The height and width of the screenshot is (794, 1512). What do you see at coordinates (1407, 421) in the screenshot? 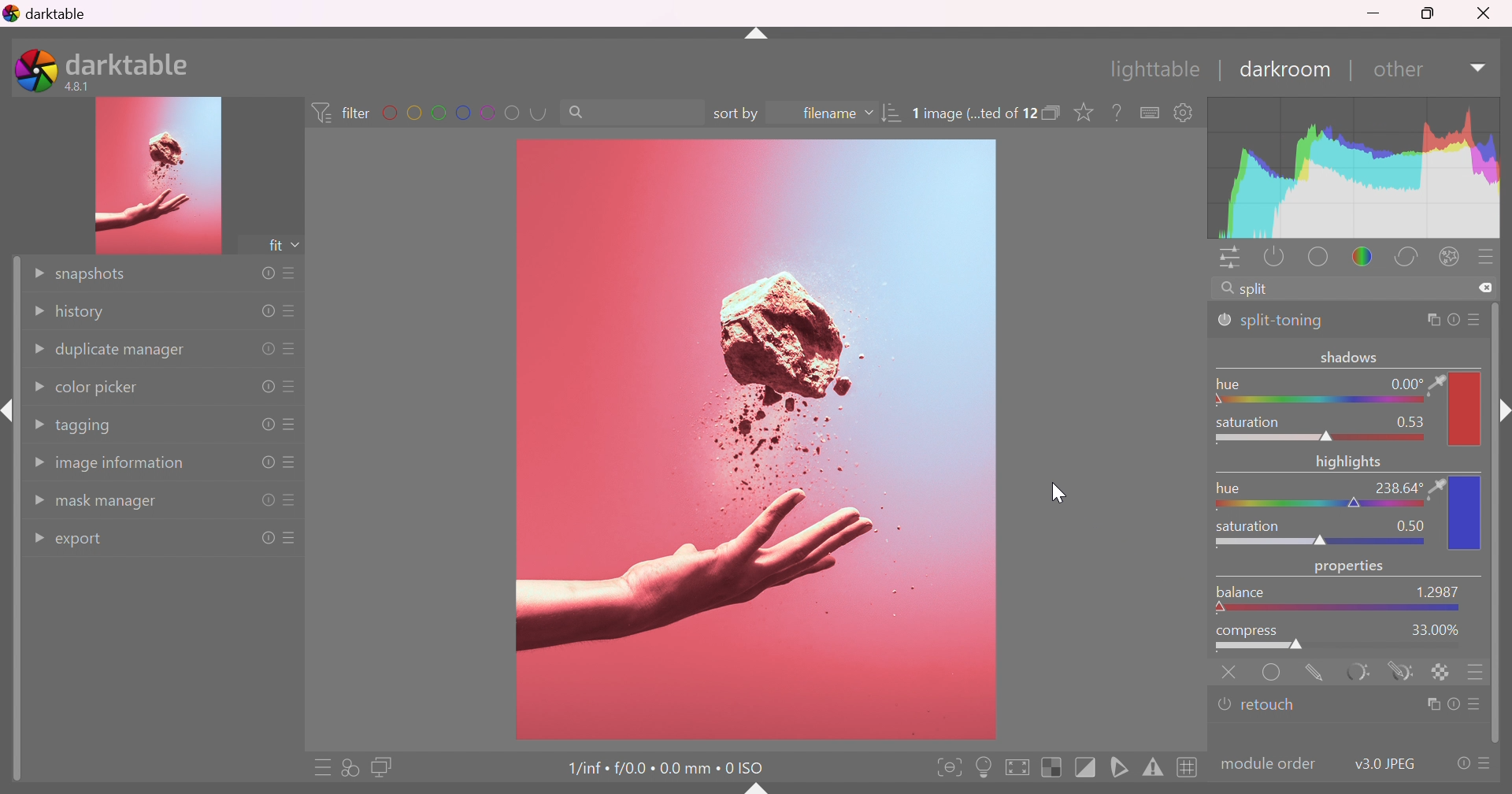
I see `0.53` at bounding box center [1407, 421].